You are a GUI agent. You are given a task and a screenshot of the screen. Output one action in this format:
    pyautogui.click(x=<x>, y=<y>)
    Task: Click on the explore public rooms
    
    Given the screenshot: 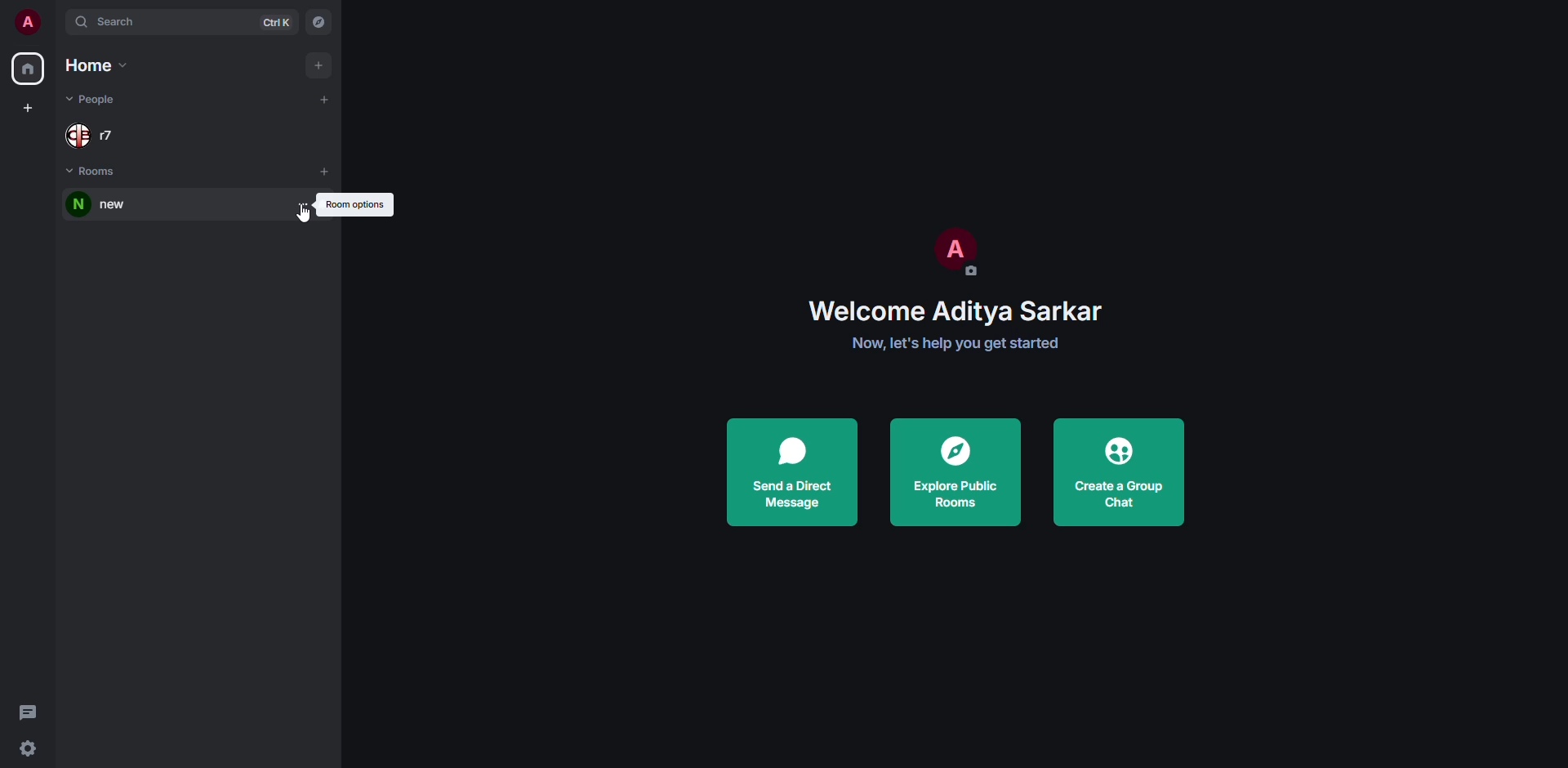 What is the action you would take?
    pyautogui.click(x=953, y=471)
    